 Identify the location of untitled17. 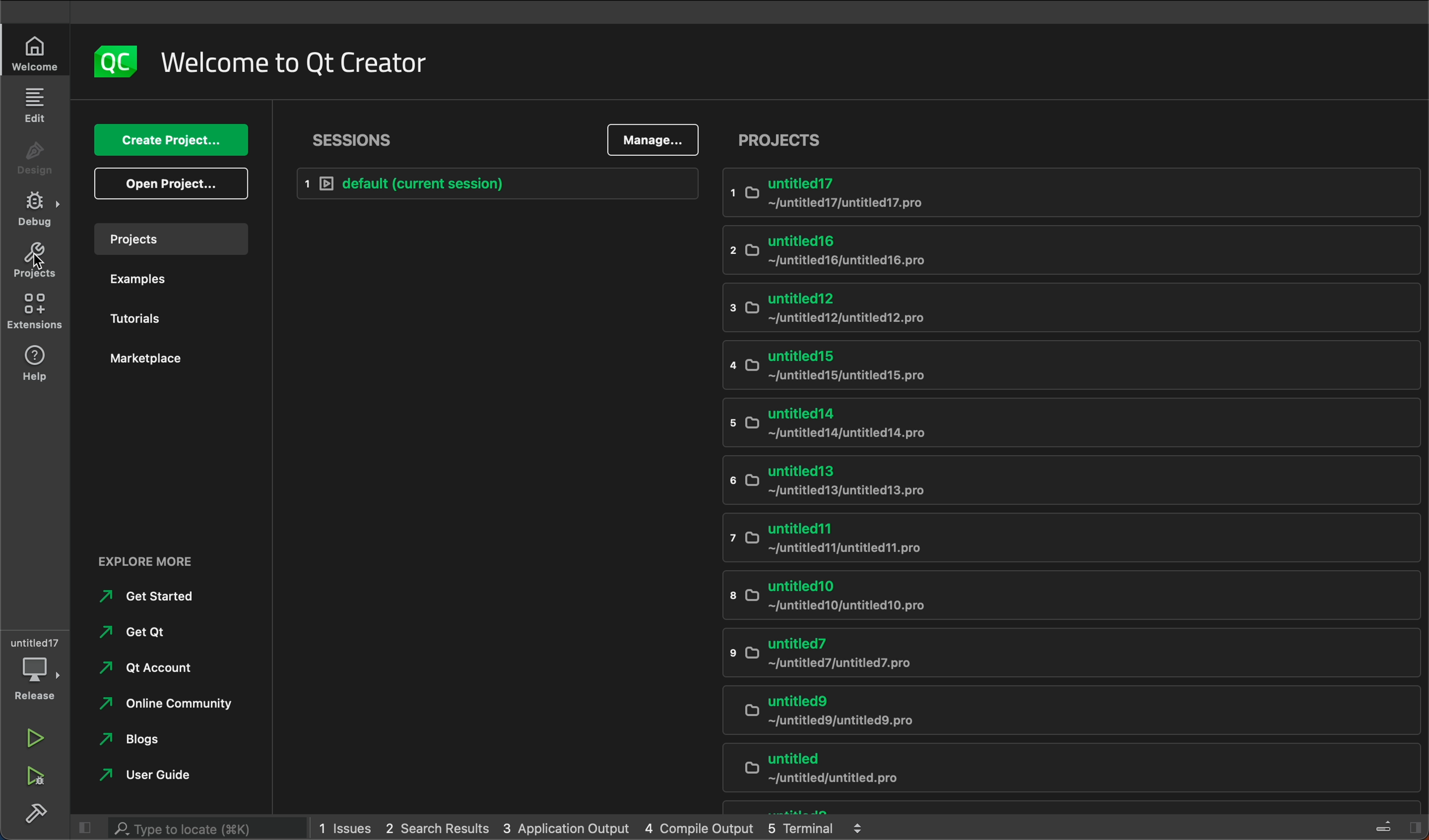
(1067, 194).